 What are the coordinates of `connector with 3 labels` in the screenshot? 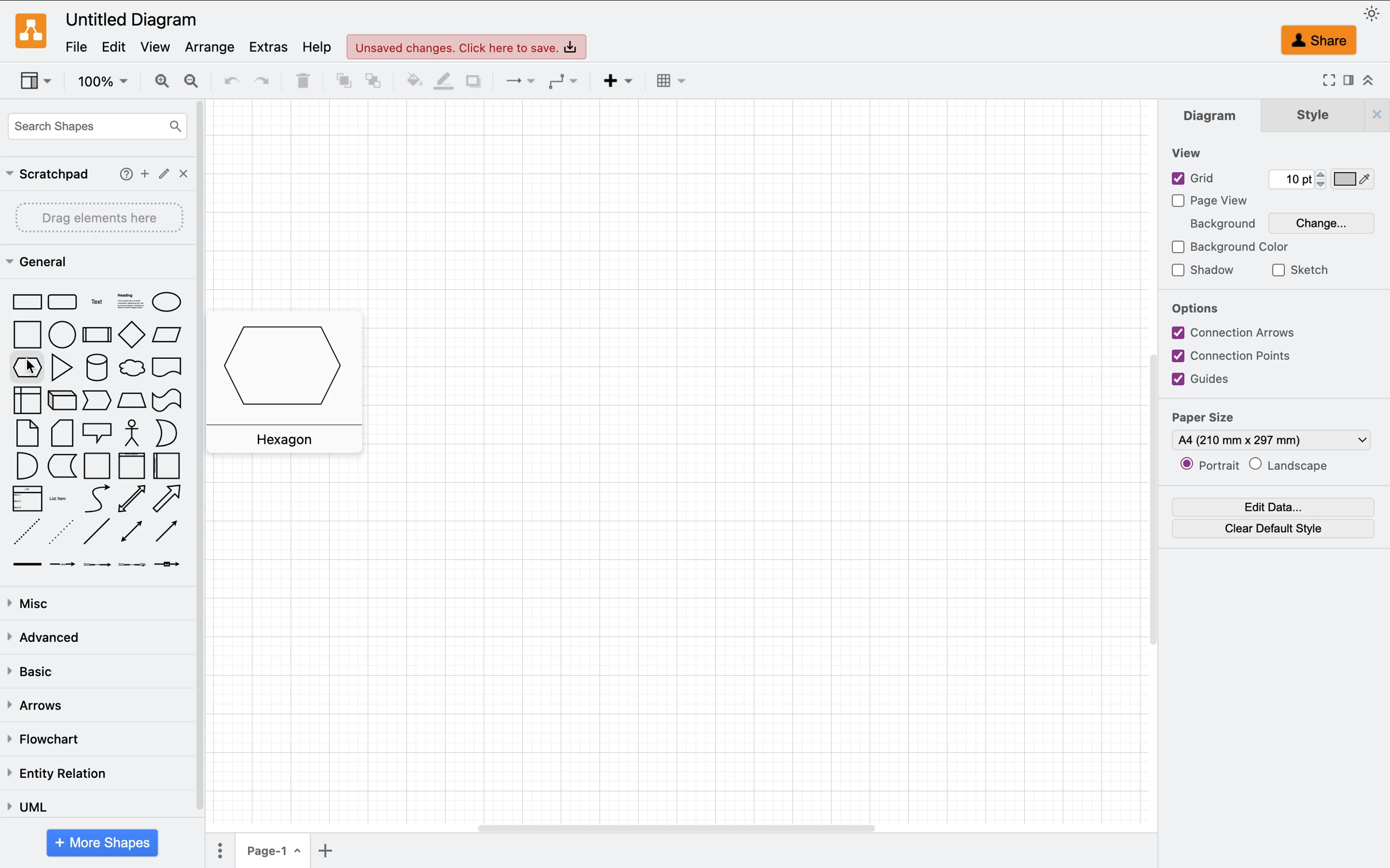 It's located at (130, 567).